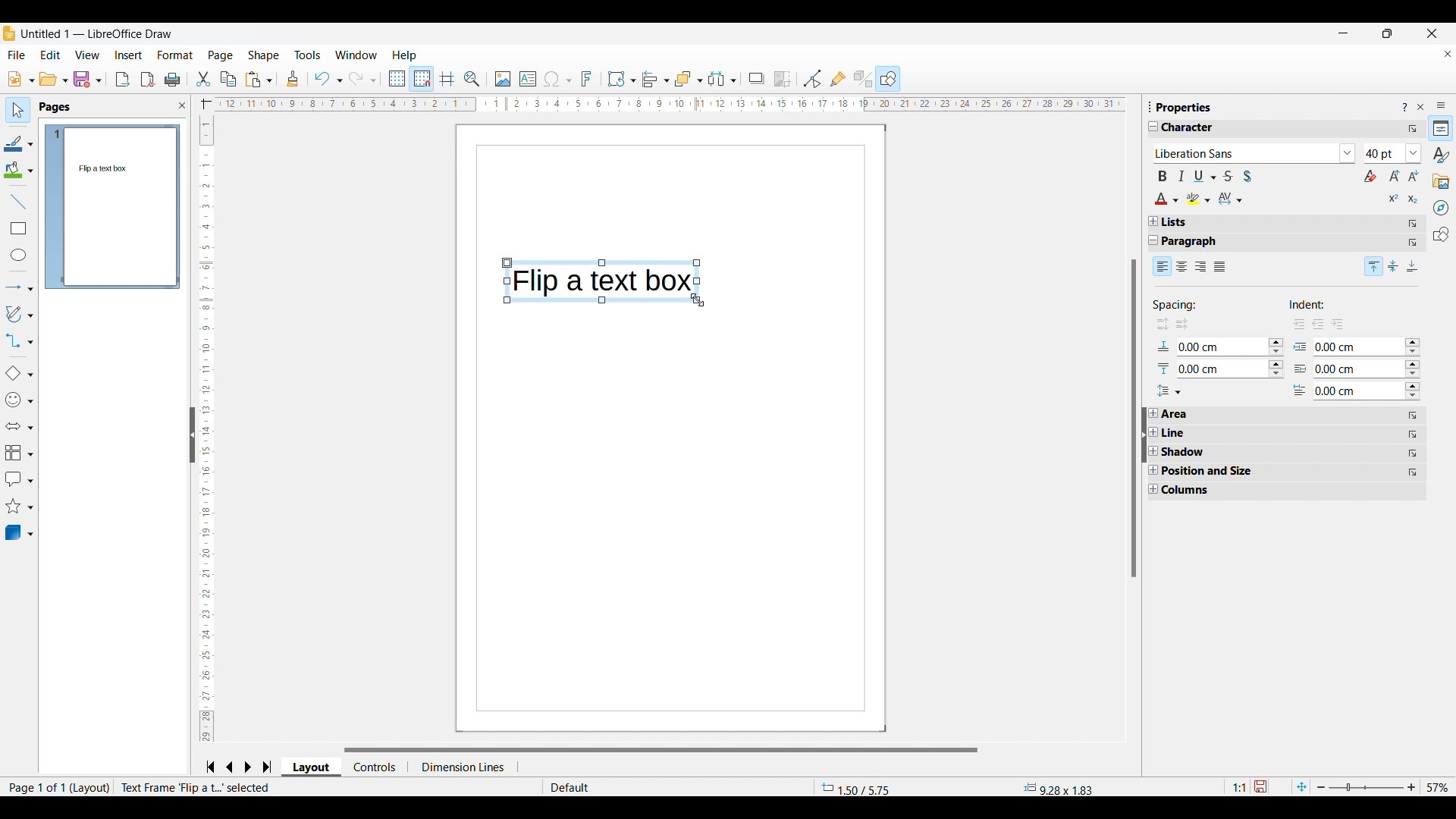  I want to click on Block arrow options, so click(19, 426).